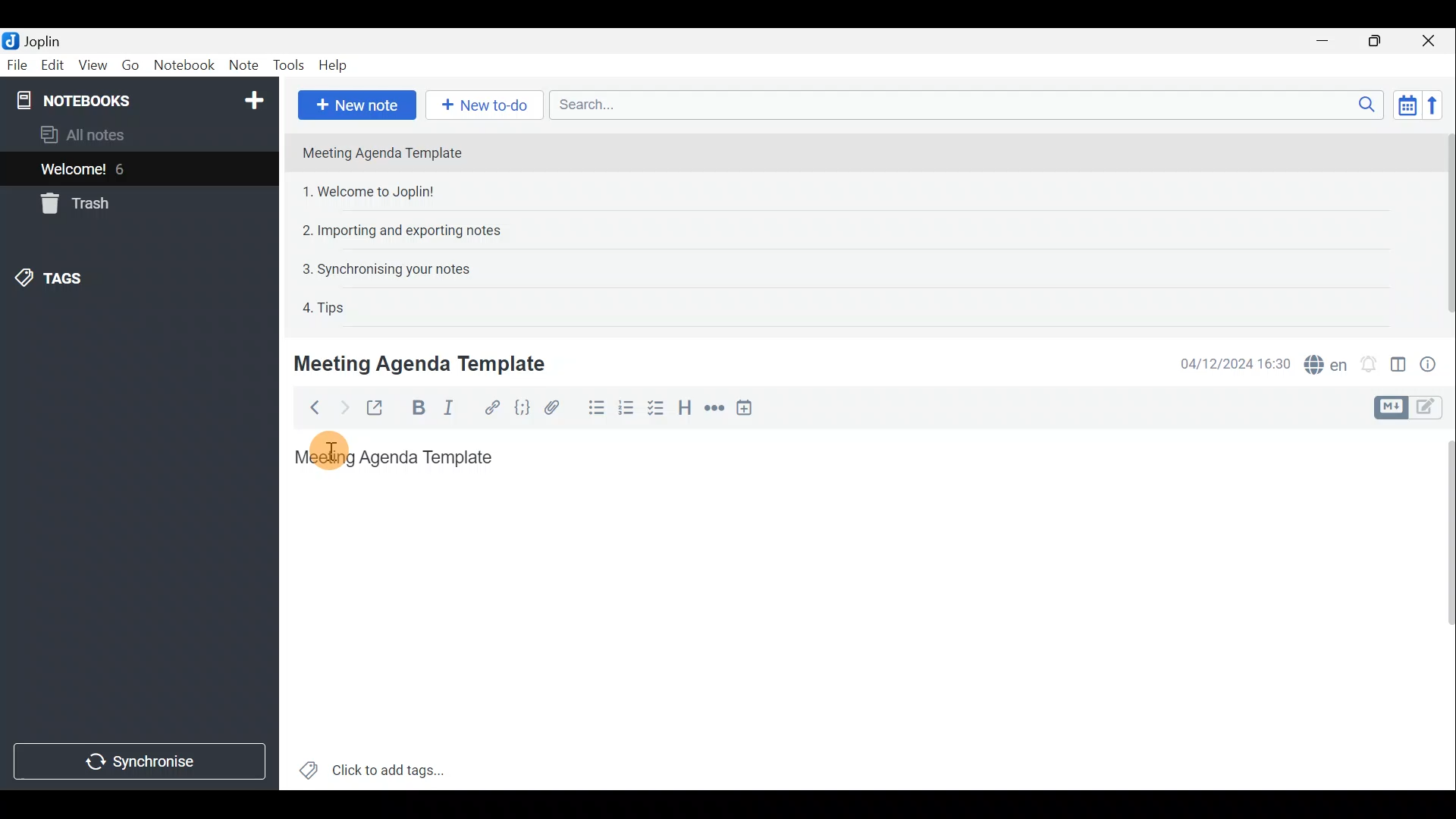 The height and width of the screenshot is (819, 1456). I want to click on Back, so click(310, 410).